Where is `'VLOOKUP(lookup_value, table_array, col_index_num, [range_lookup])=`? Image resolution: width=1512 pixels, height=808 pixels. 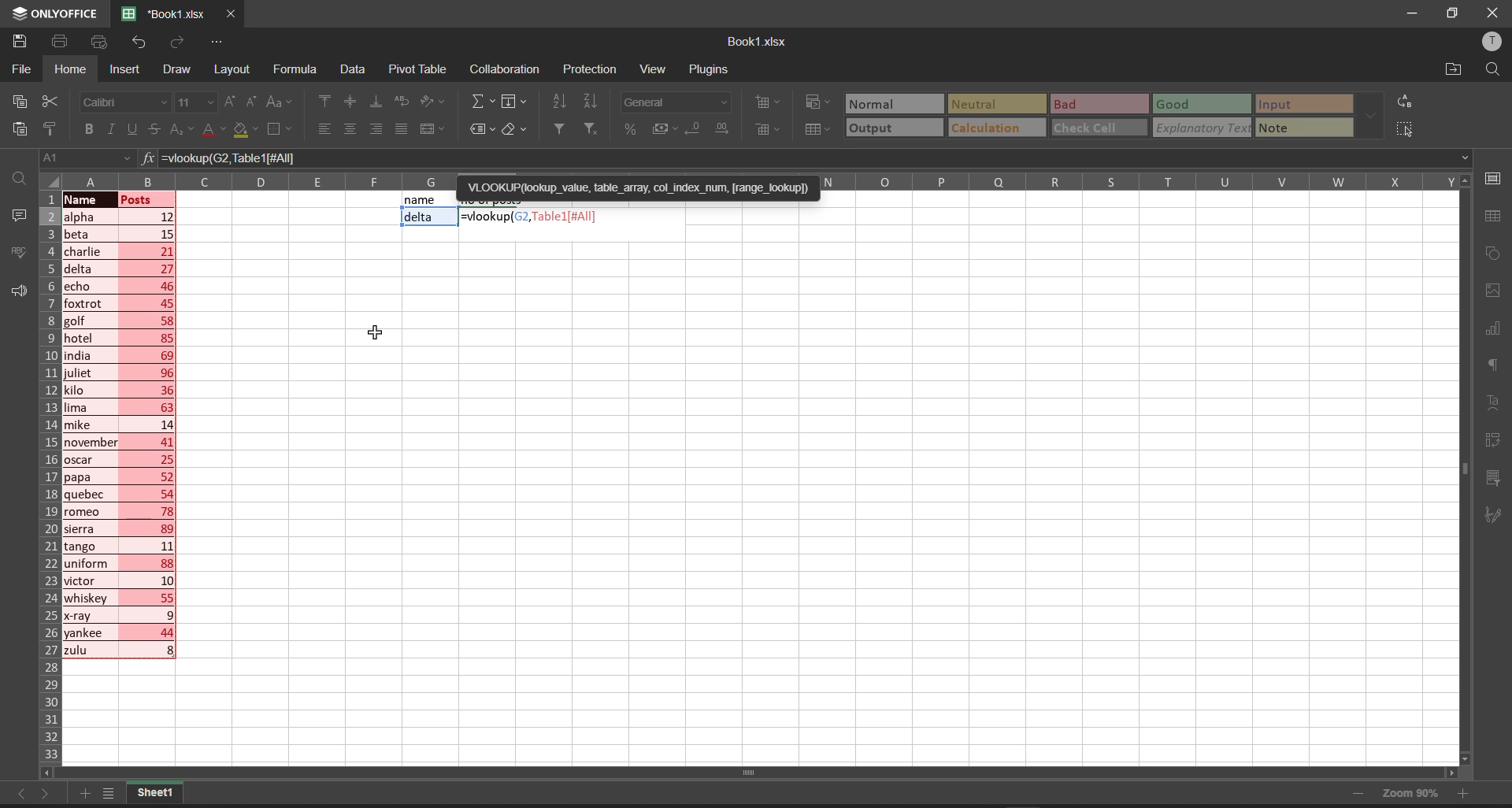 'VLOOKUP(lookup_value, table_array, col_index_num, [range_lookup])= is located at coordinates (636, 191).